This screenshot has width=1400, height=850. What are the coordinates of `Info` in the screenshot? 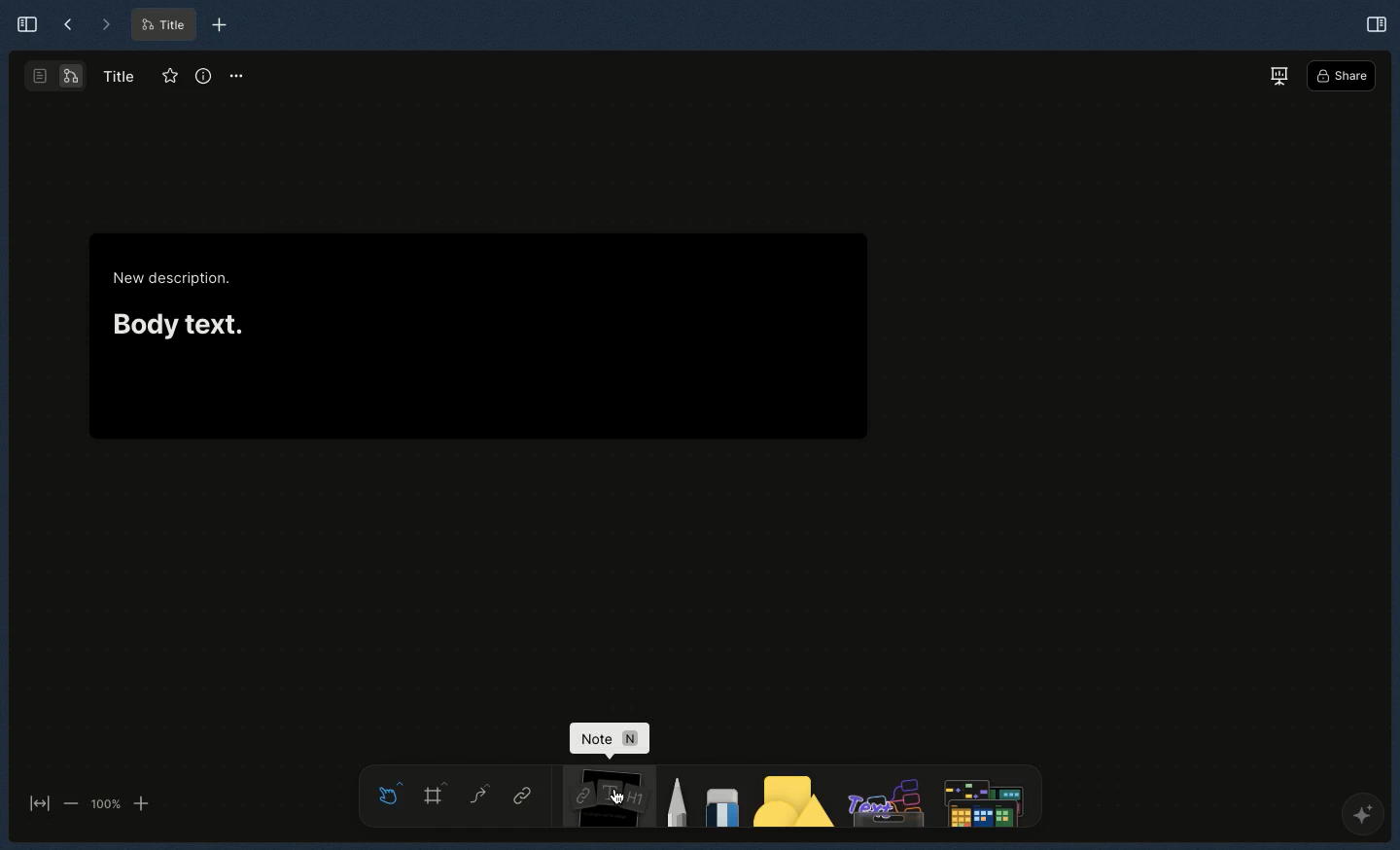 It's located at (203, 77).